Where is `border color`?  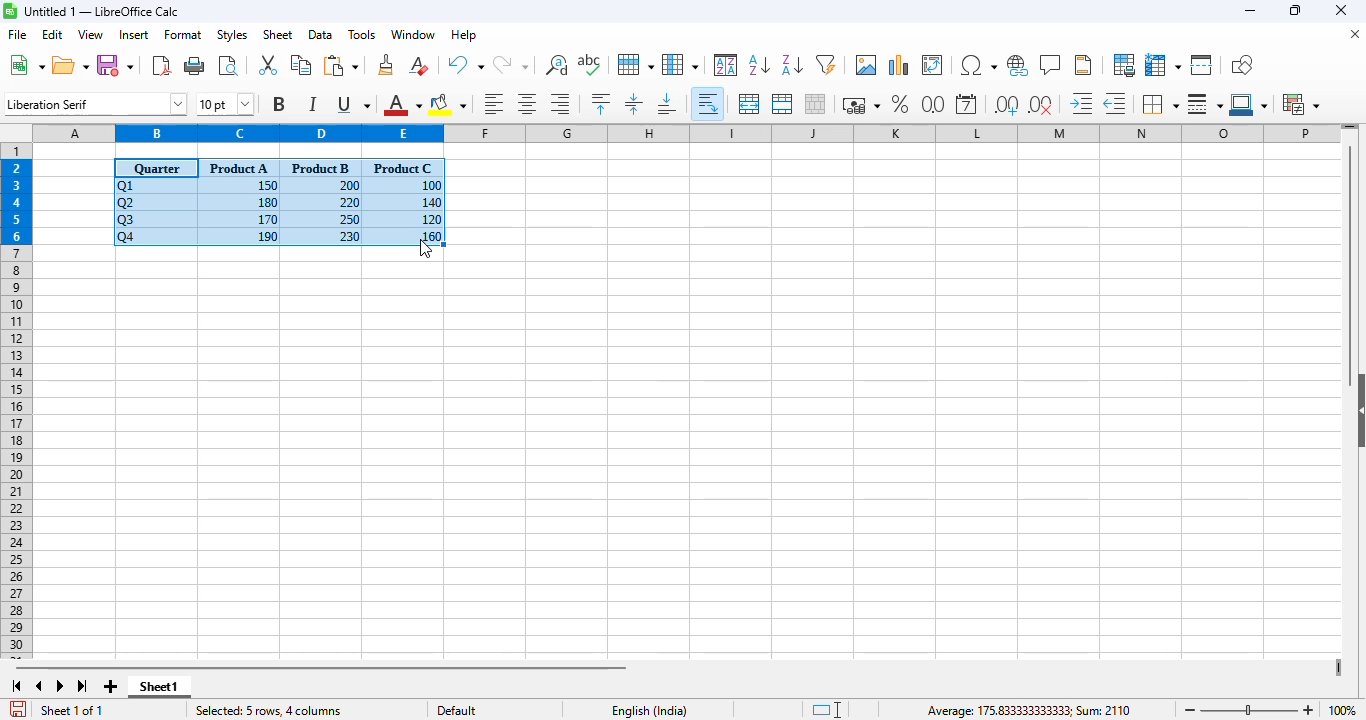
border color is located at coordinates (1251, 104).